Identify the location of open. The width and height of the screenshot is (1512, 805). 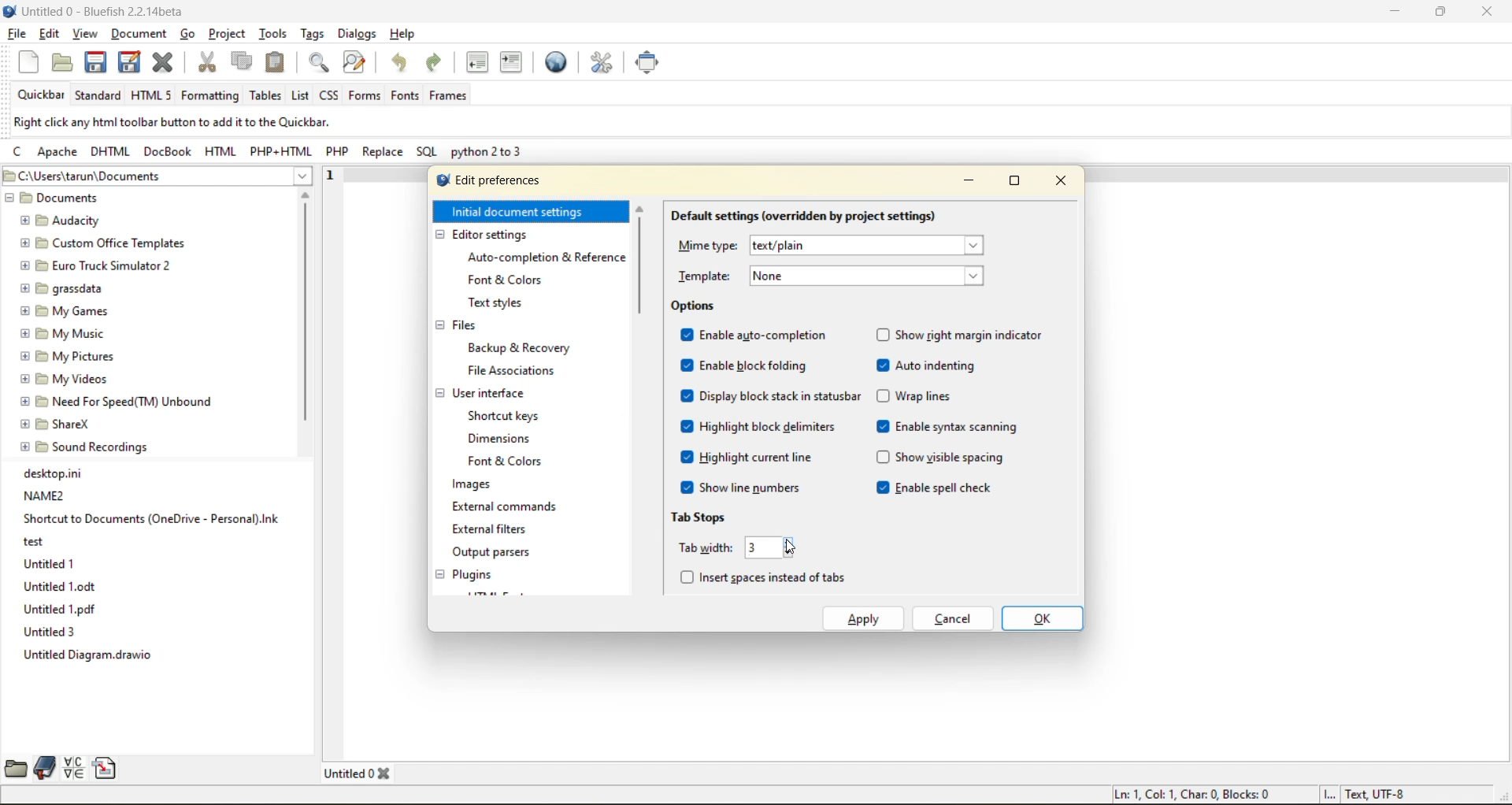
(61, 63).